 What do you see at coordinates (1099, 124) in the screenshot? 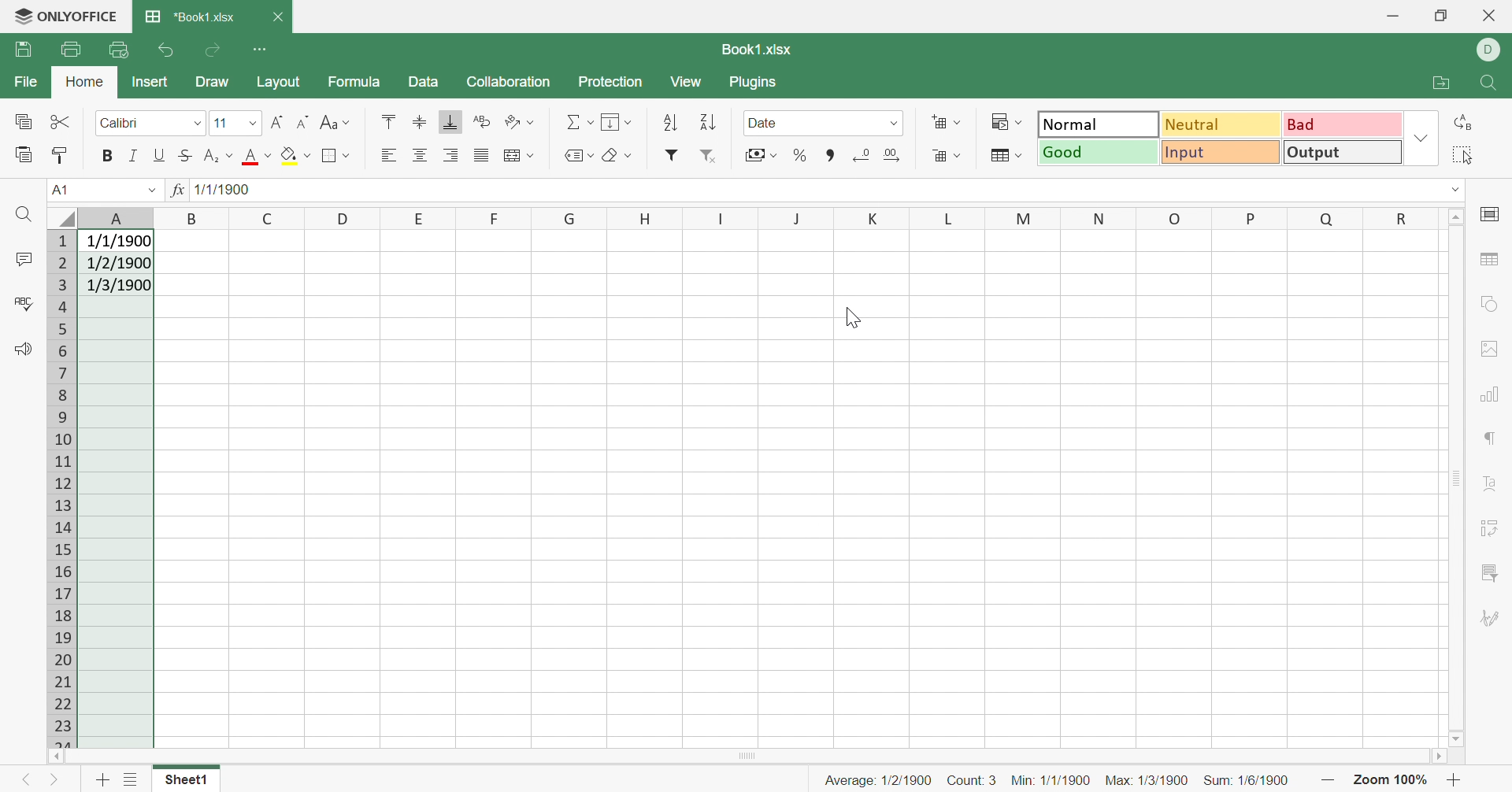
I see `Normal` at bounding box center [1099, 124].